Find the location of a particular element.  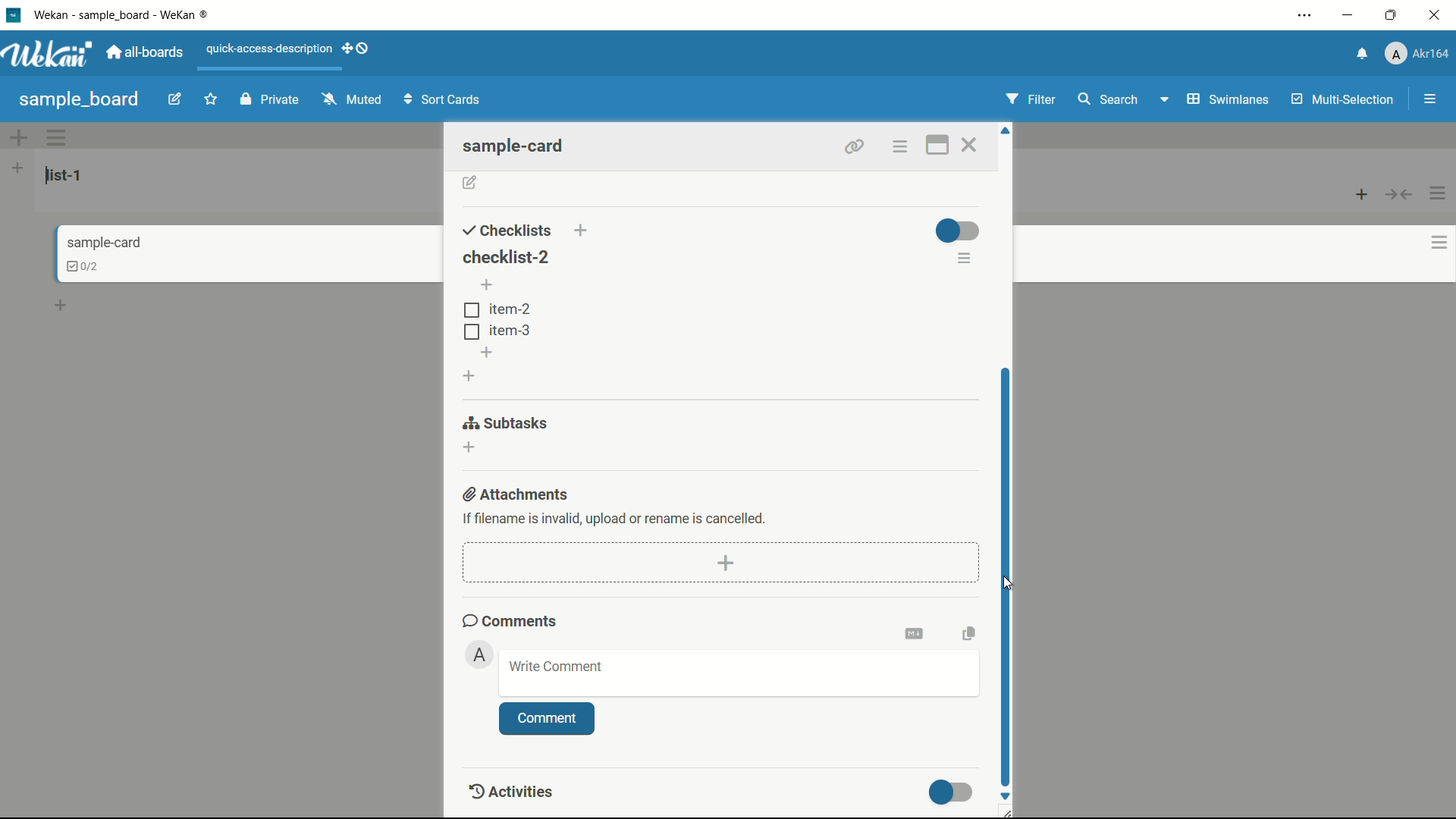

toggle button is located at coordinates (957, 231).